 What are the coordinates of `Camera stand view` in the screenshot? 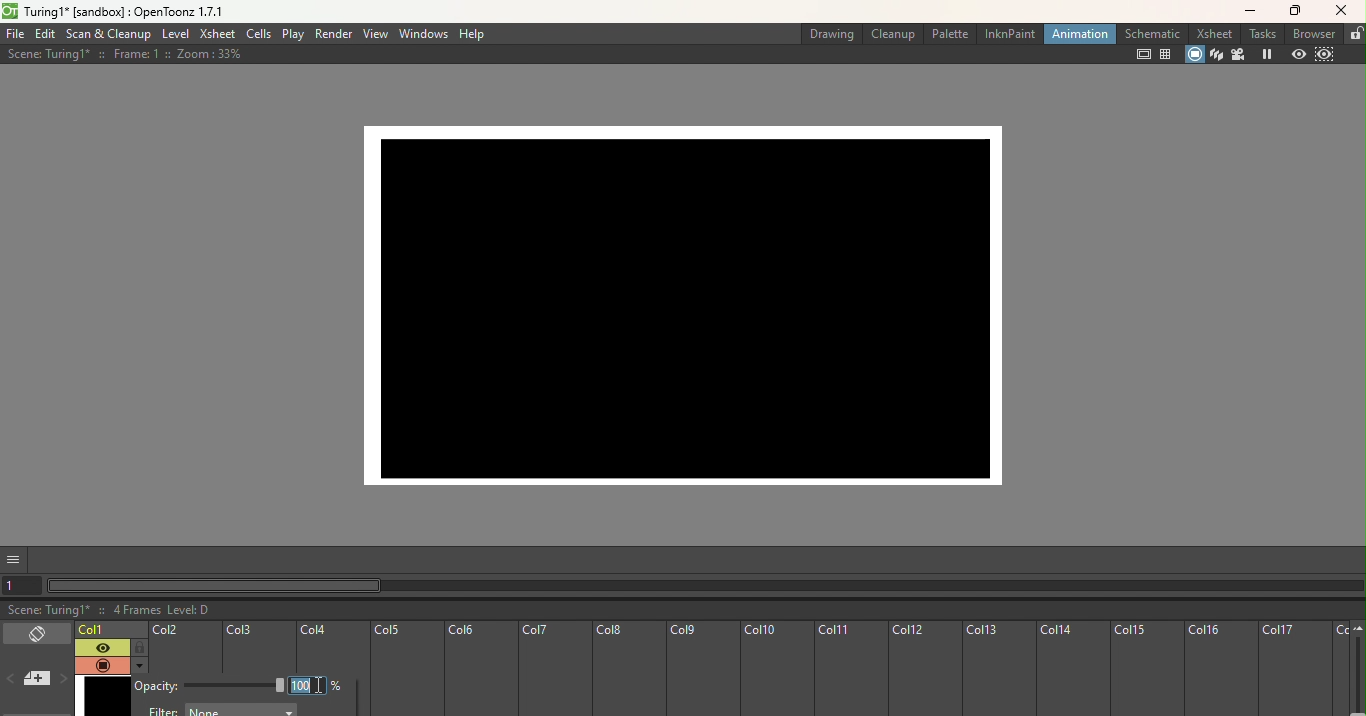 It's located at (1195, 56).